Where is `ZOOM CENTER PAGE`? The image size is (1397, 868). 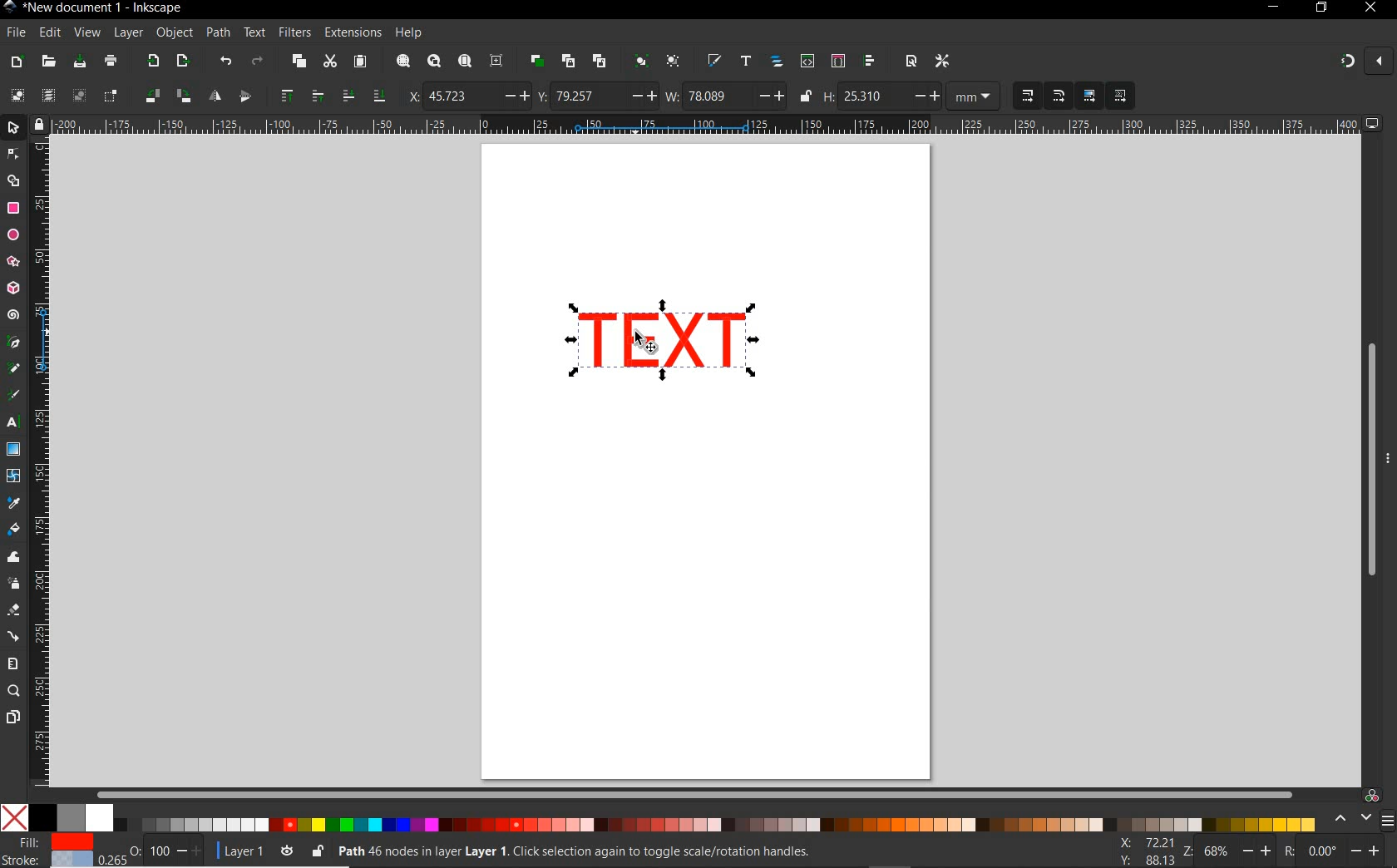
ZOOM CENTER PAGE is located at coordinates (496, 62).